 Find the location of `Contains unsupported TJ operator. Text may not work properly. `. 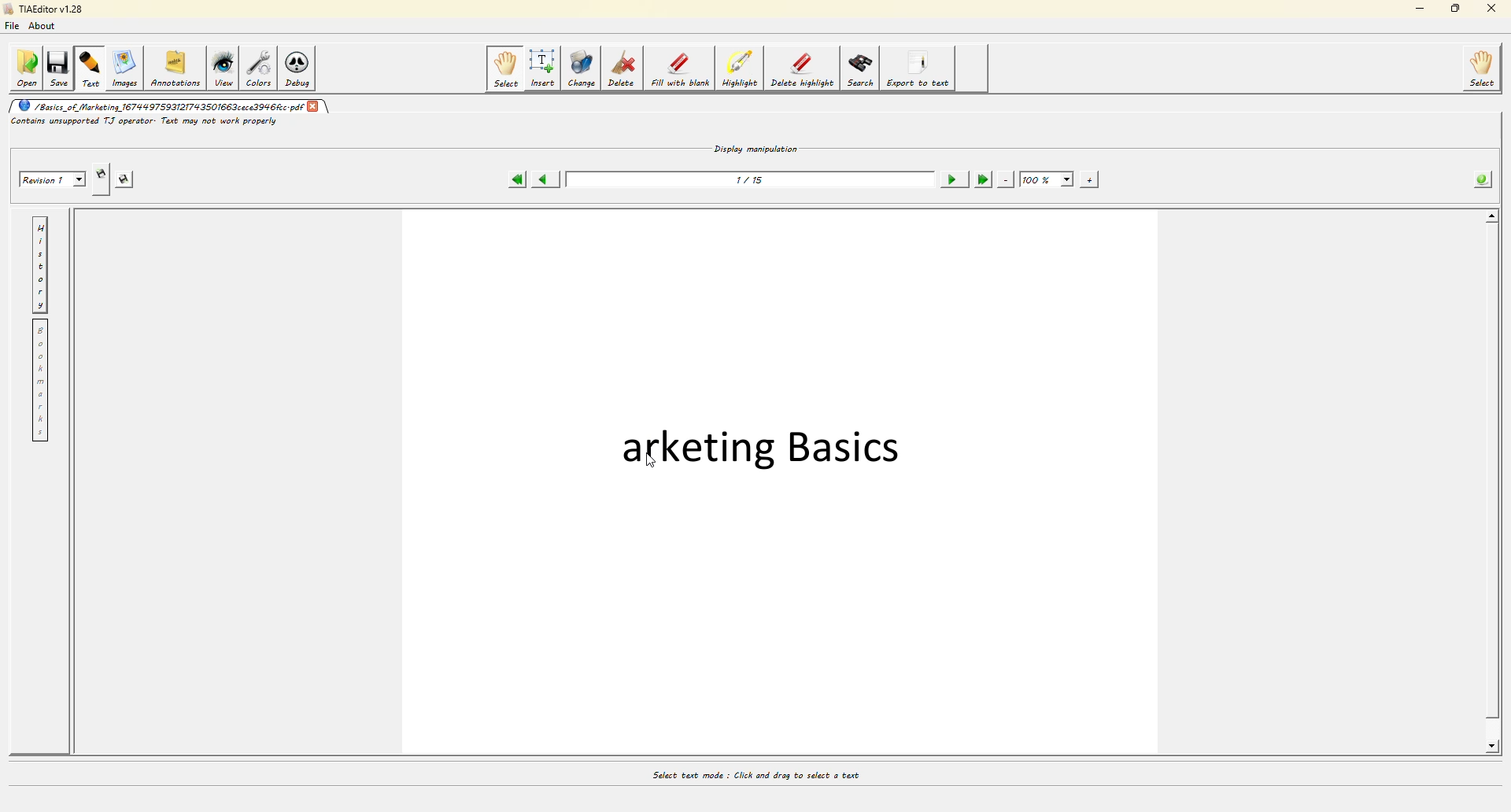

Contains unsupported TJ operator. Text may not work properly.  is located at coordinates (153, 123).